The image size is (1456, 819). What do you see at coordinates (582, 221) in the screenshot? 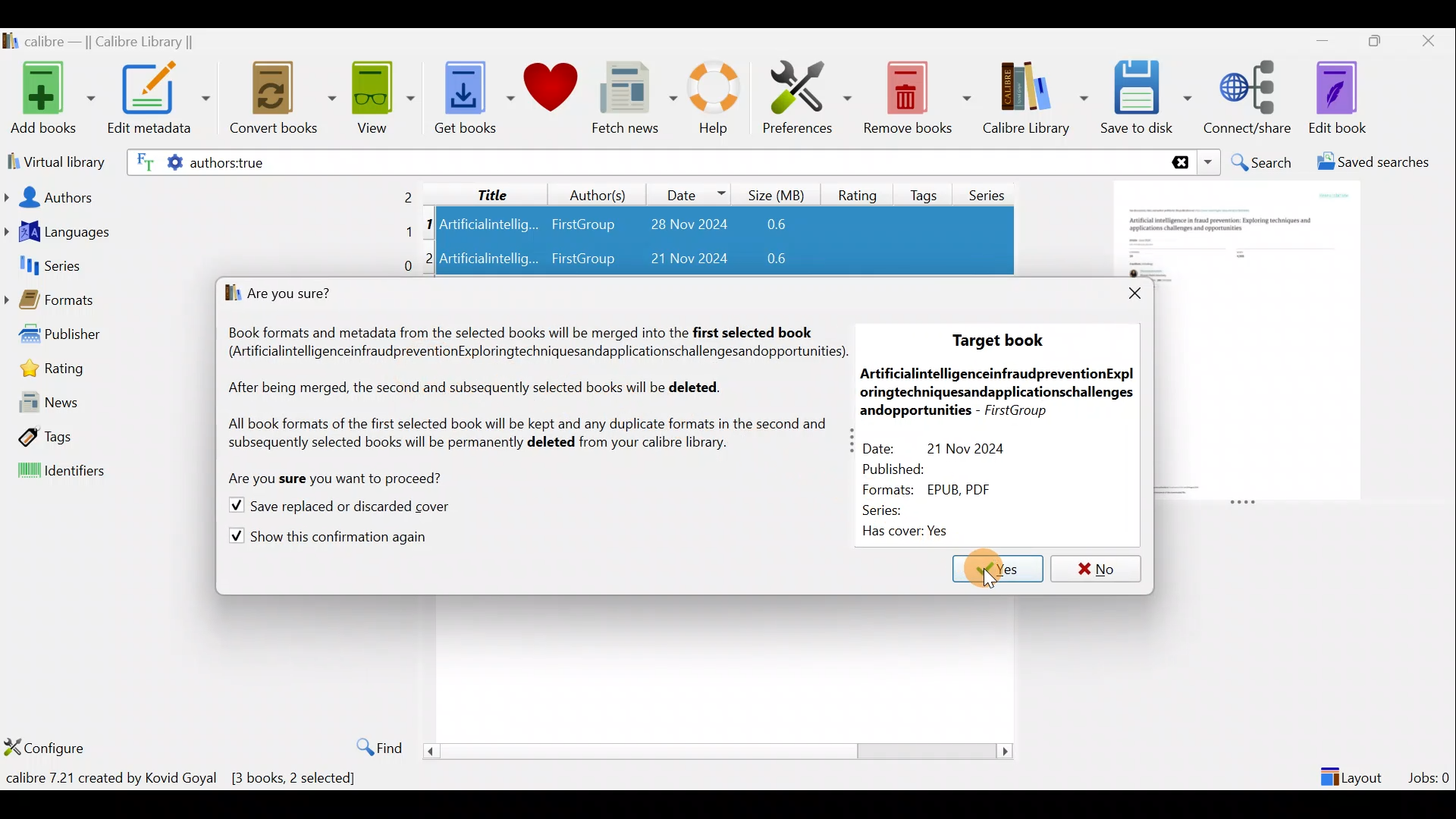
I see `FirstGroup` at bounding box center [582, 221].